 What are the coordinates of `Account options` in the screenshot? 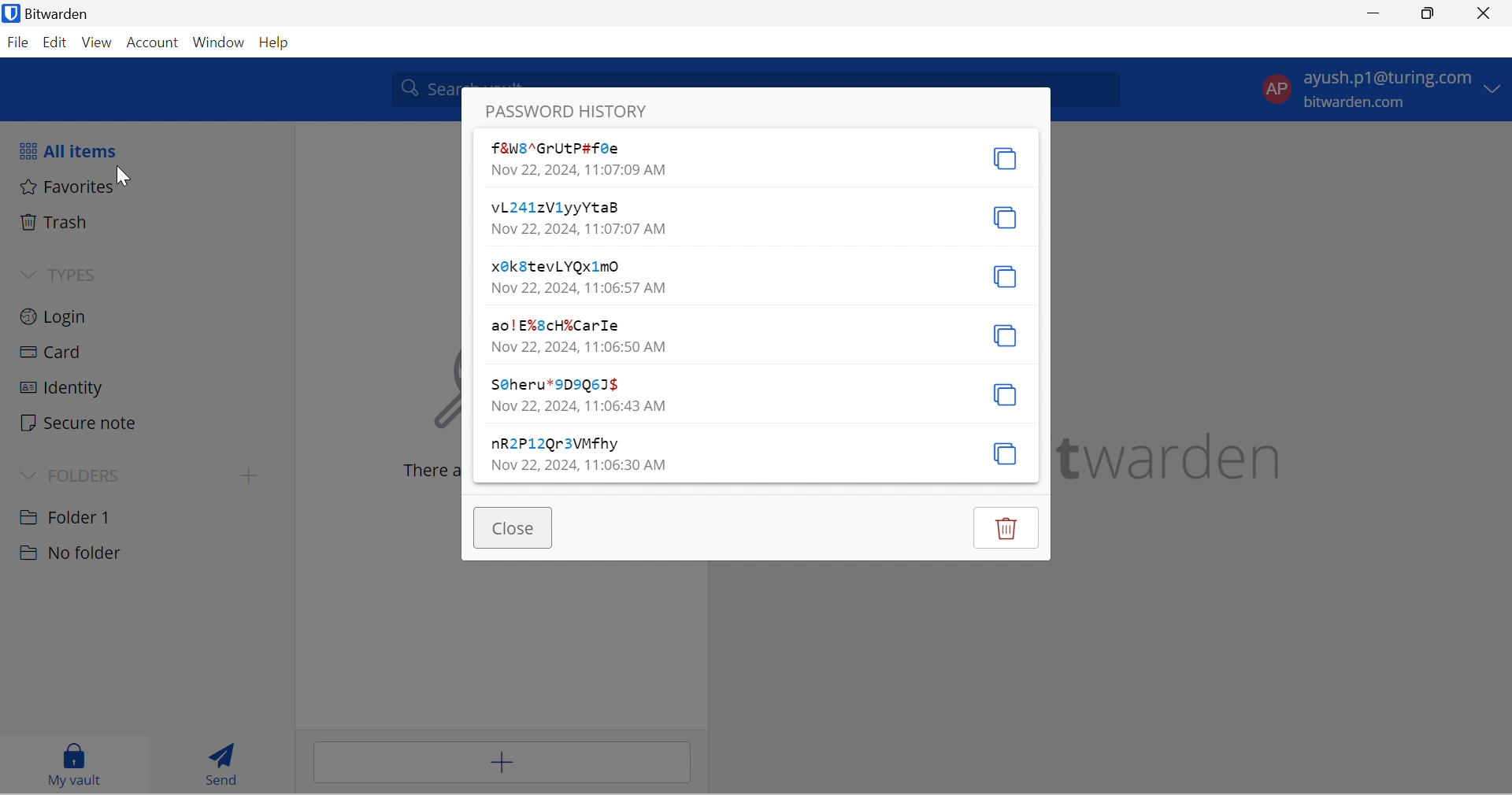 It's located at (1379, 87).